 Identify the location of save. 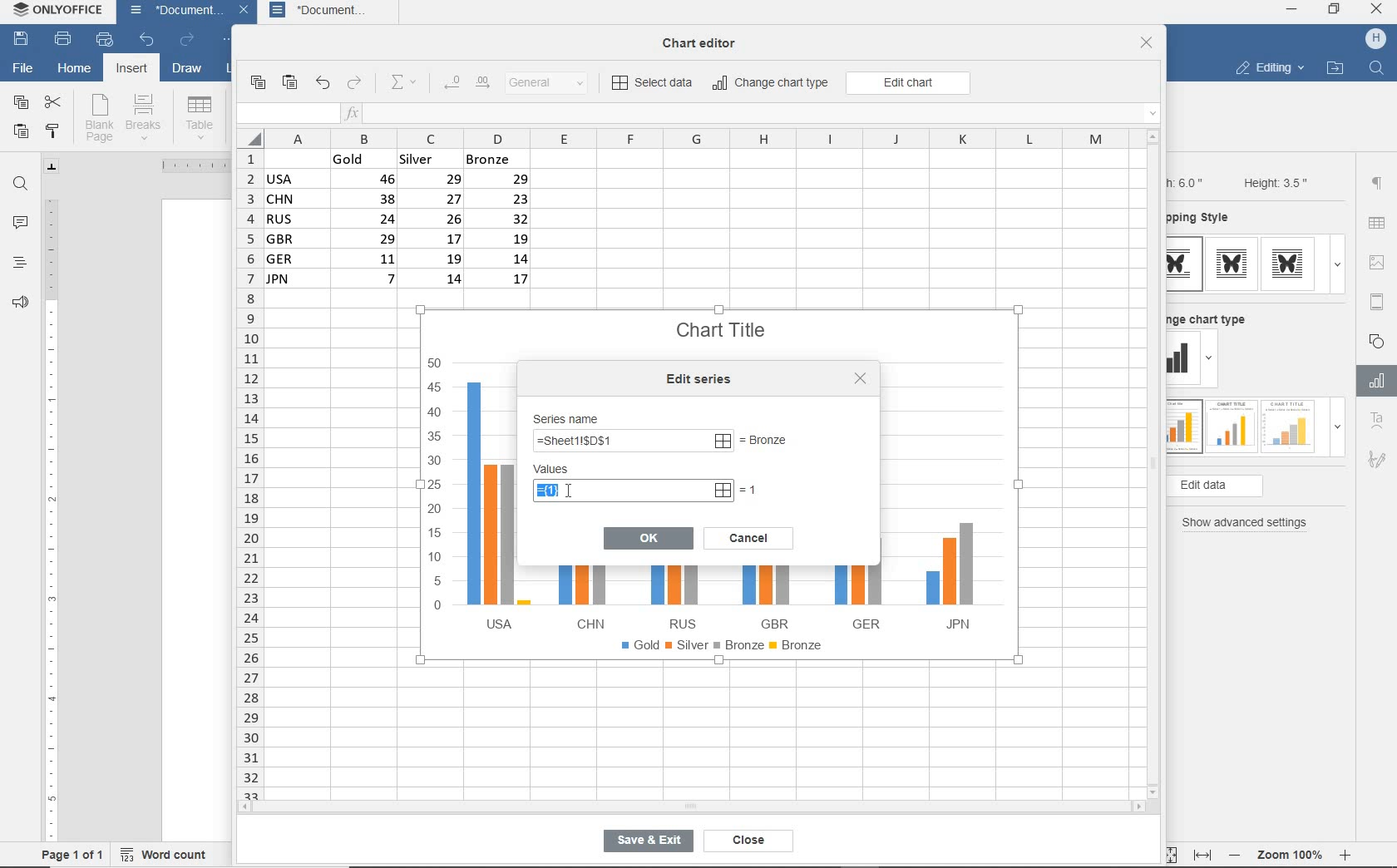
(22, 40).